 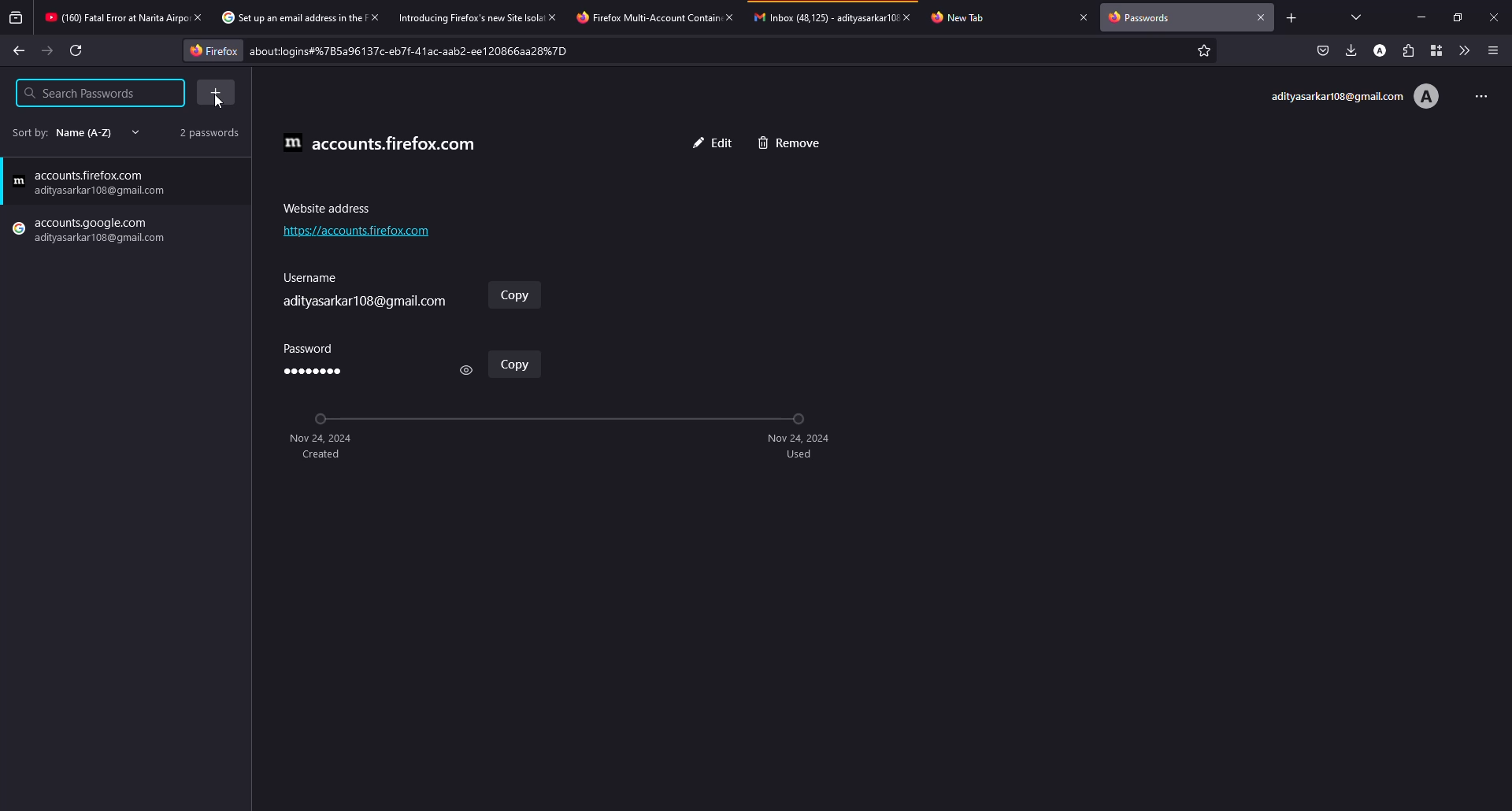 I want to click on remove, so click(x=790, y=143).